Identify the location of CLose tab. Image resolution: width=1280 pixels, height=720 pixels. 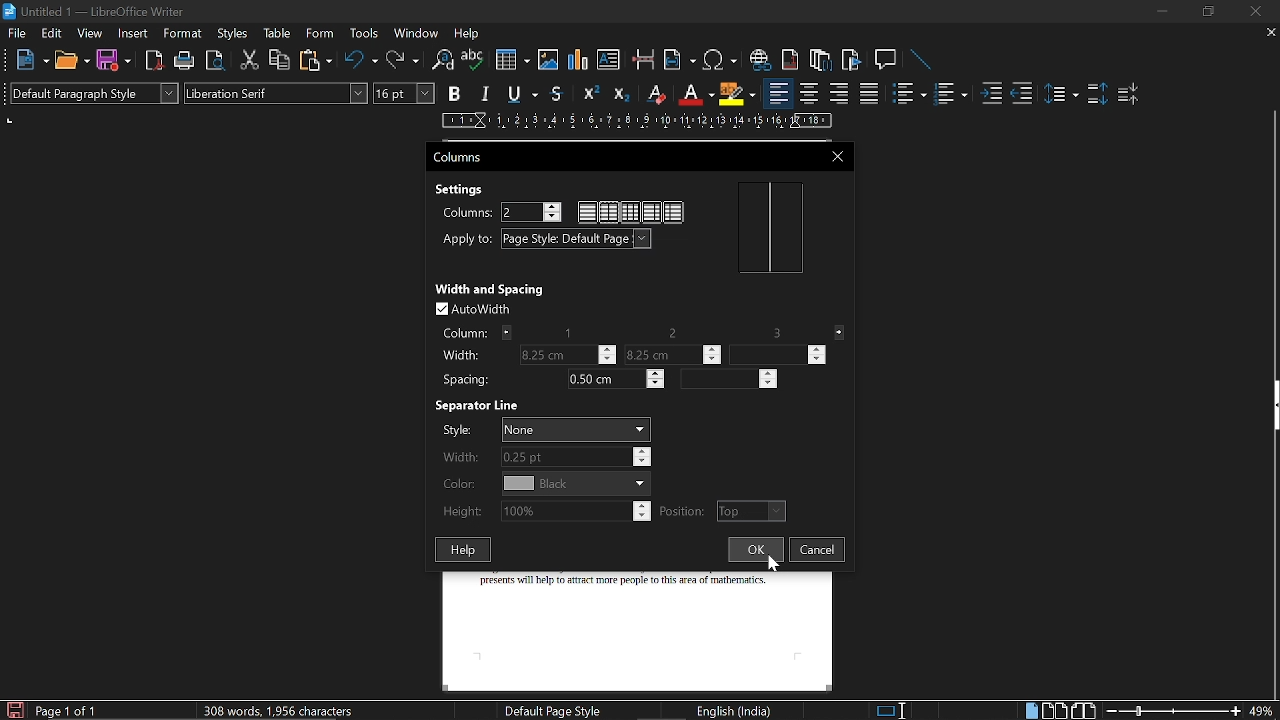
(1270, 32).